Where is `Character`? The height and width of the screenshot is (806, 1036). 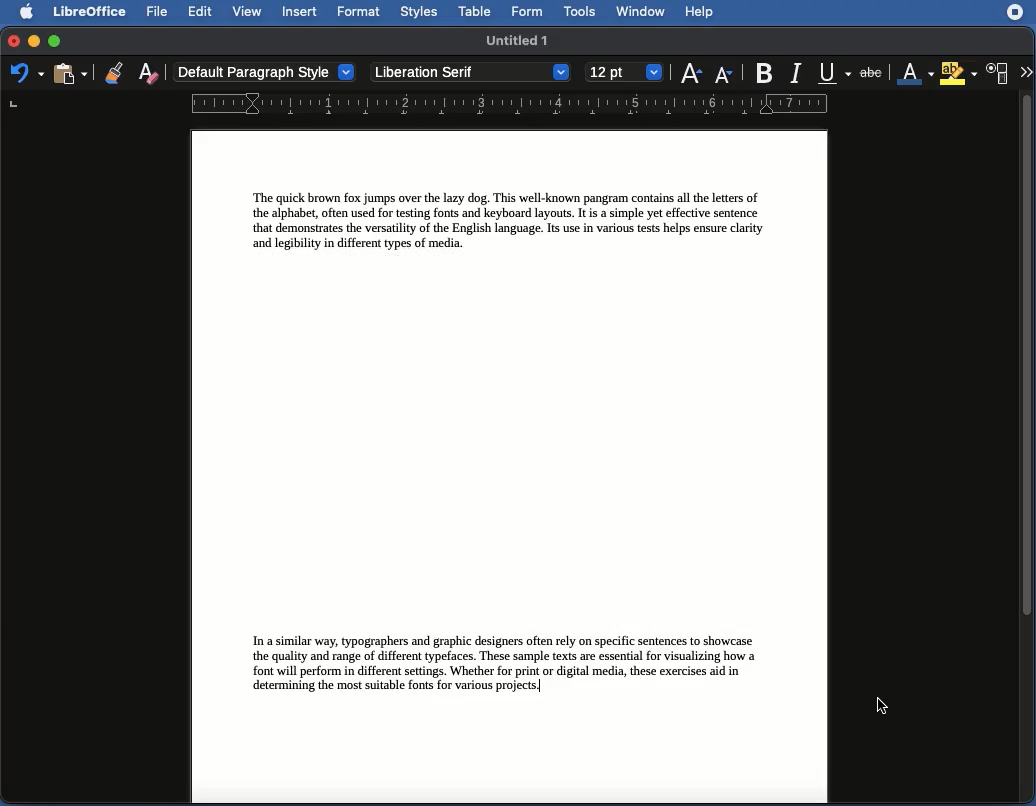
Character is located at coordinates (998, 74).